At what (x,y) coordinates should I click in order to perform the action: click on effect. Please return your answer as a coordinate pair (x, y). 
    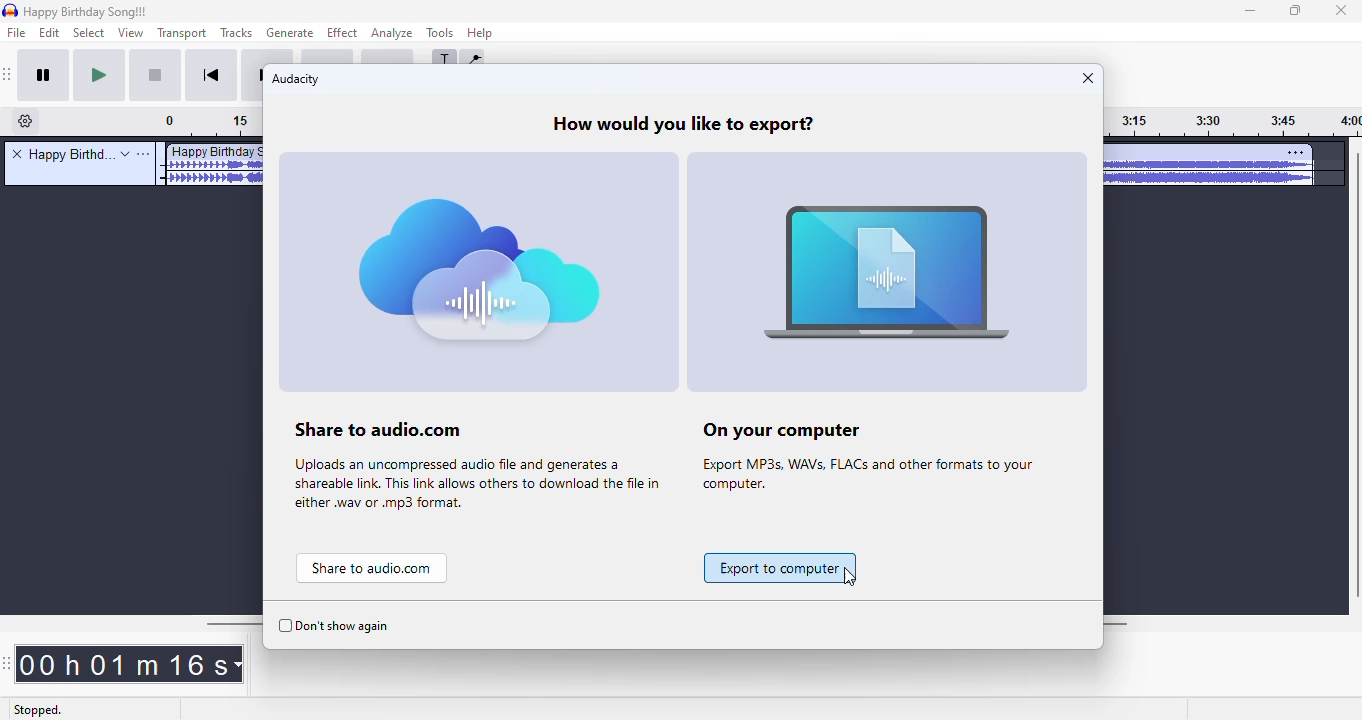
    Looking at the image, I should click on (342, 33).